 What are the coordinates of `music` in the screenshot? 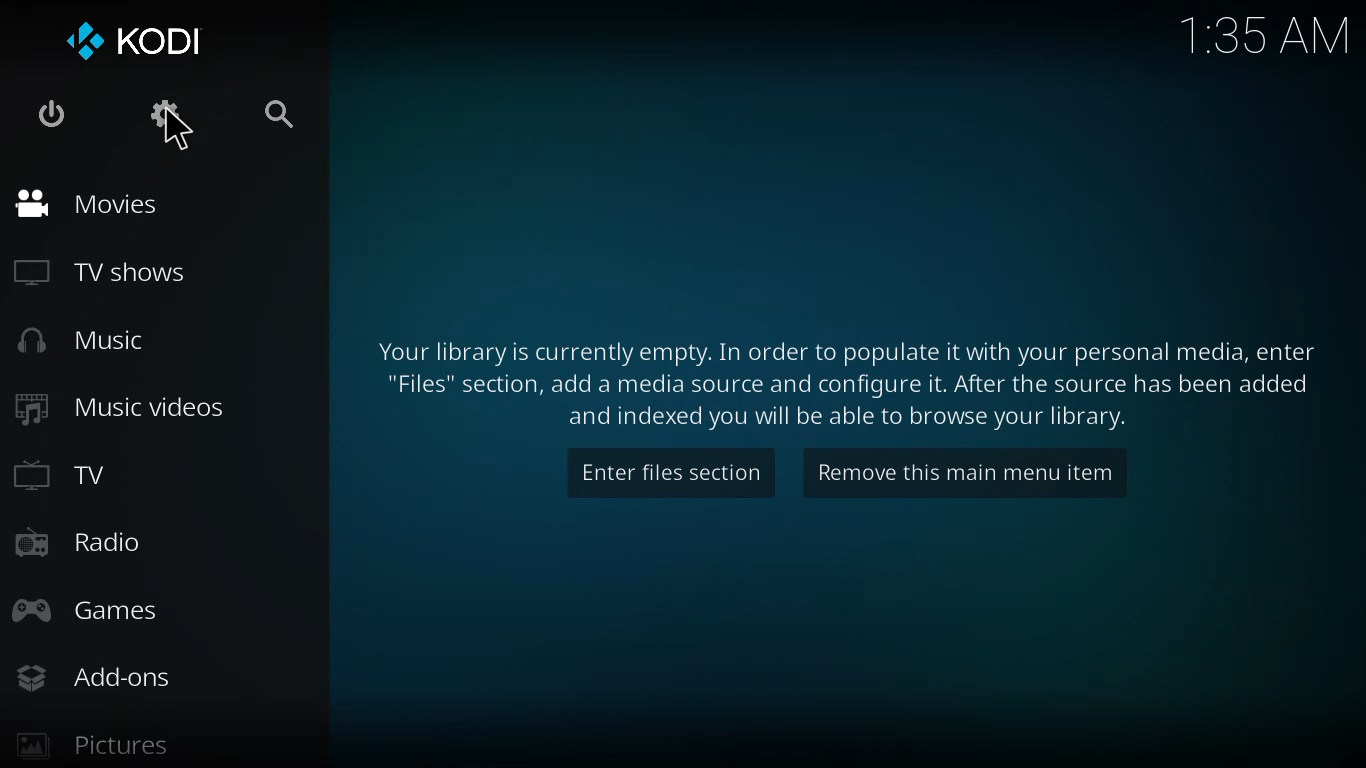 It's located at (74, 342).